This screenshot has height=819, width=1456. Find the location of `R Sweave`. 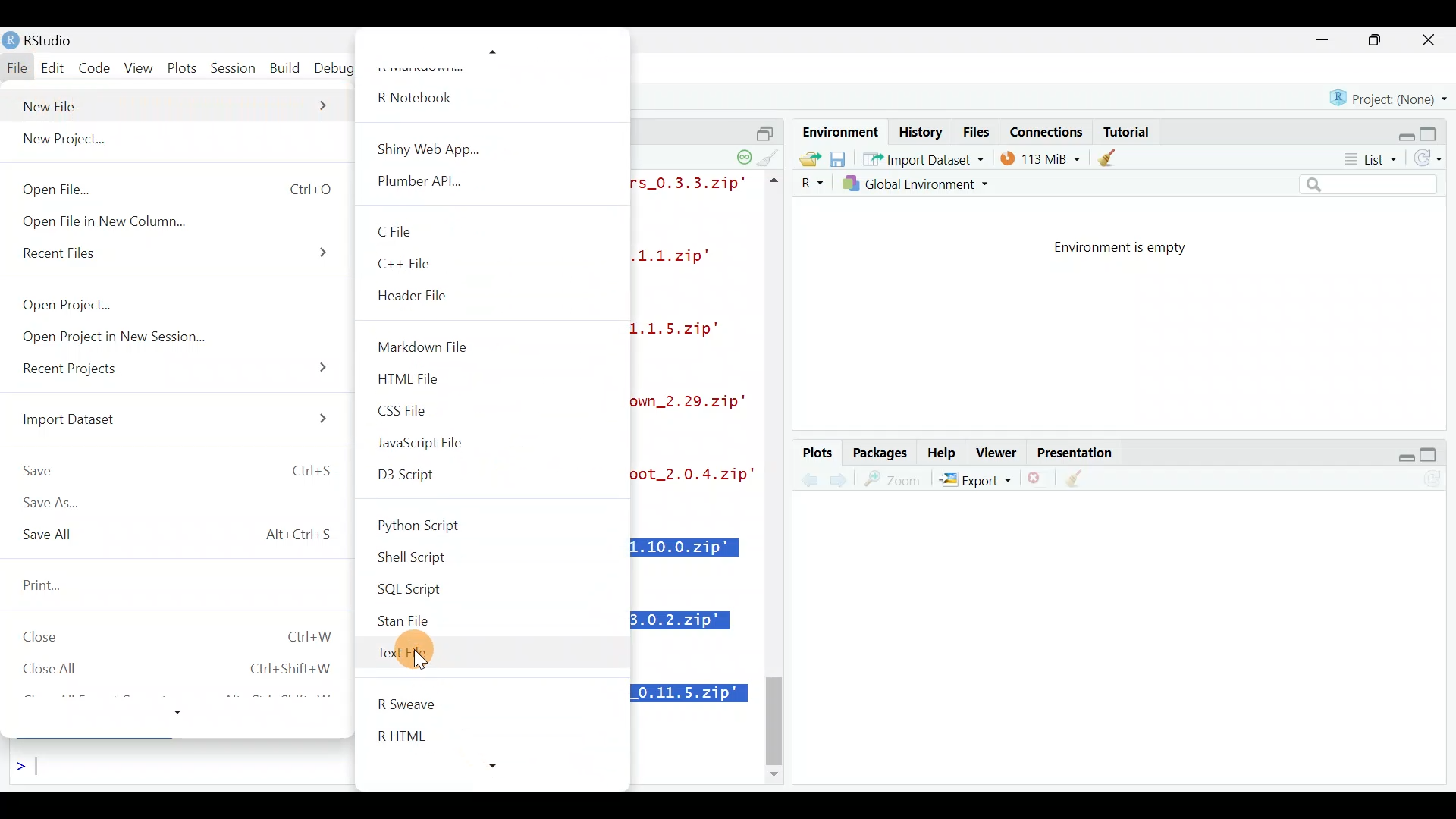

R Sweave is located at coordinates (414, 702).